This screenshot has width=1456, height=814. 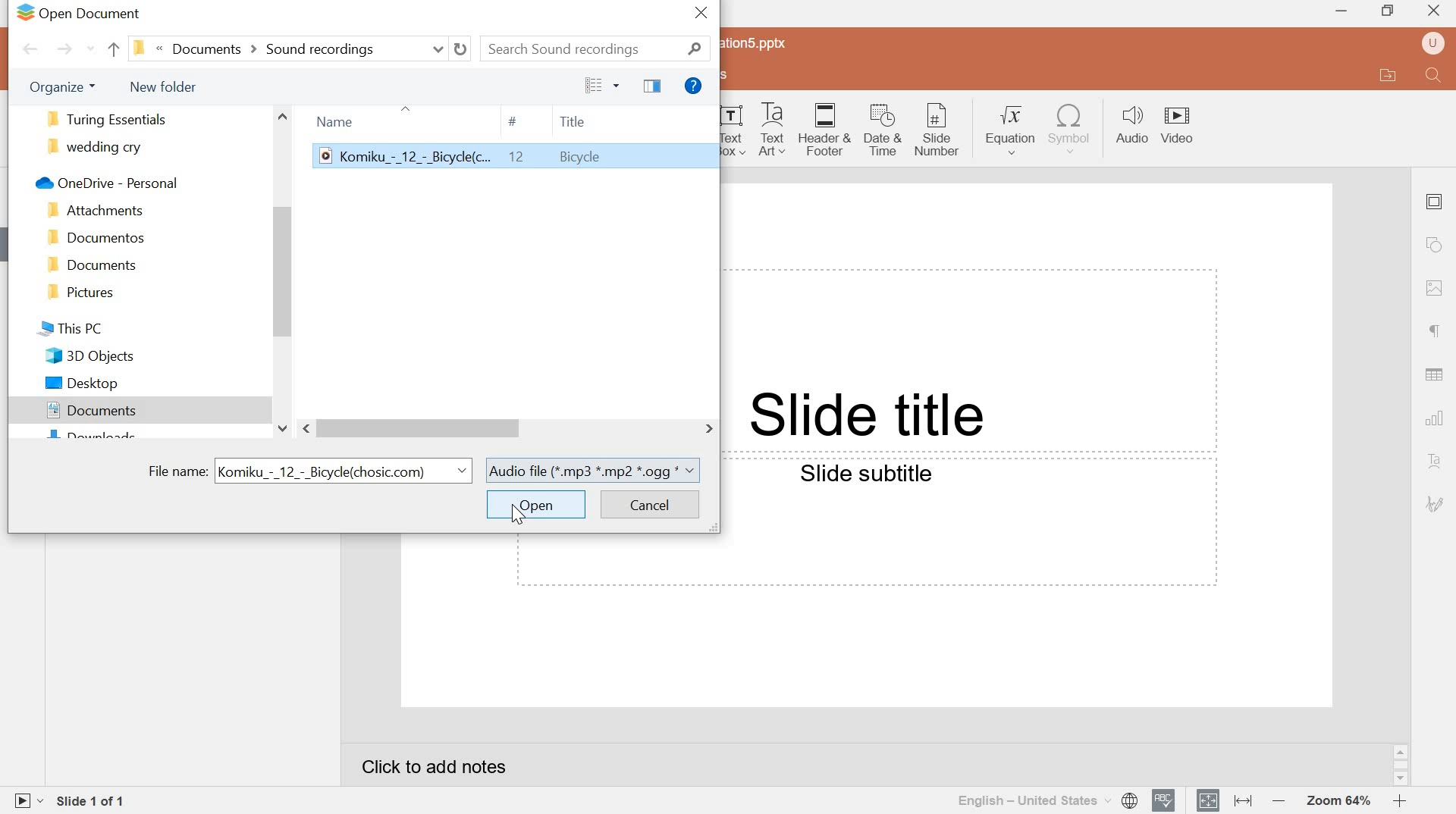 I want to click on close, so click(x=1435, y=13).